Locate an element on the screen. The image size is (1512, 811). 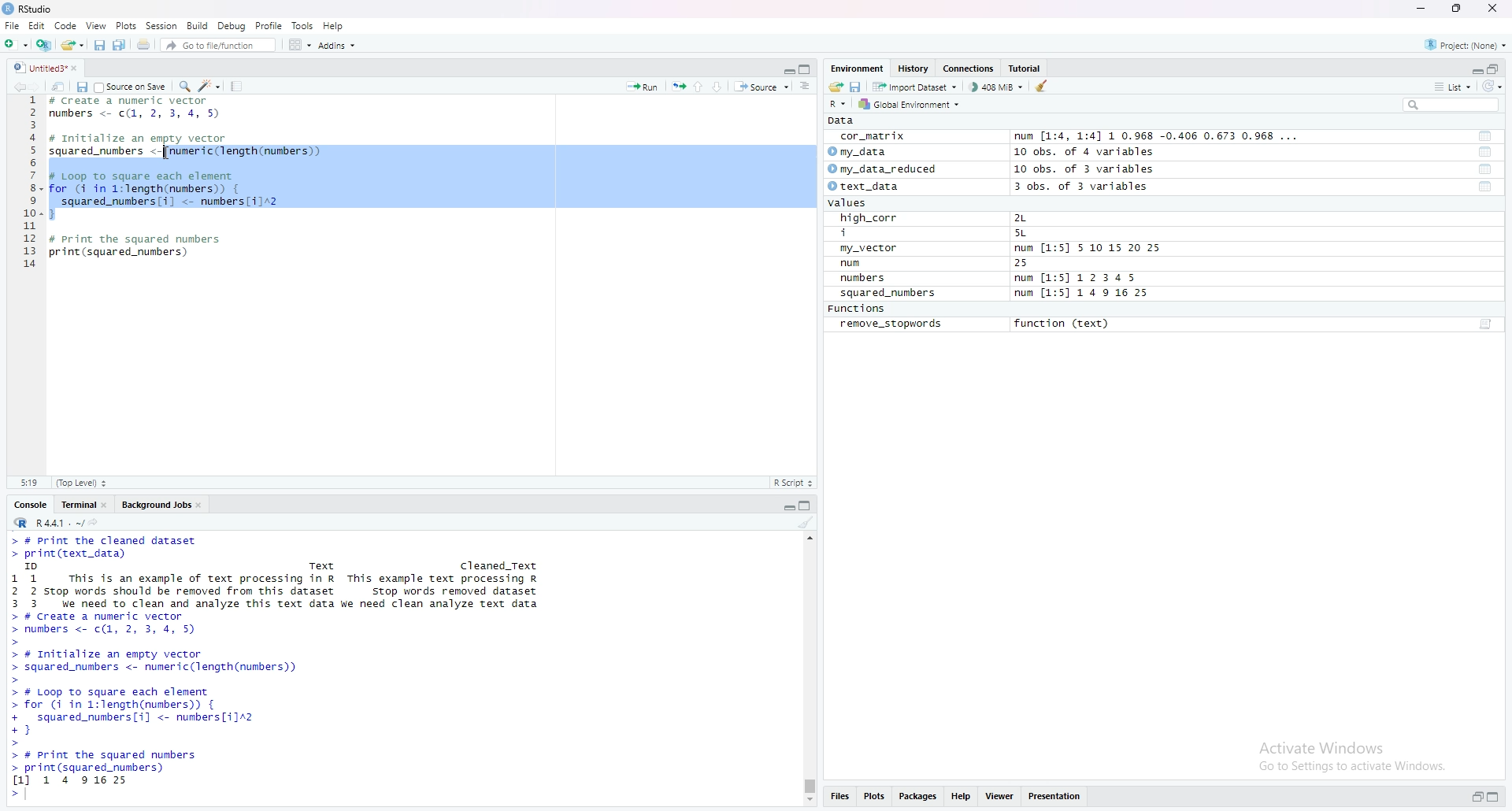
num [1:4, 1:4] 1 0.968 -0.406 0.673 0.968 ... is located at coordinates (1158, 137).